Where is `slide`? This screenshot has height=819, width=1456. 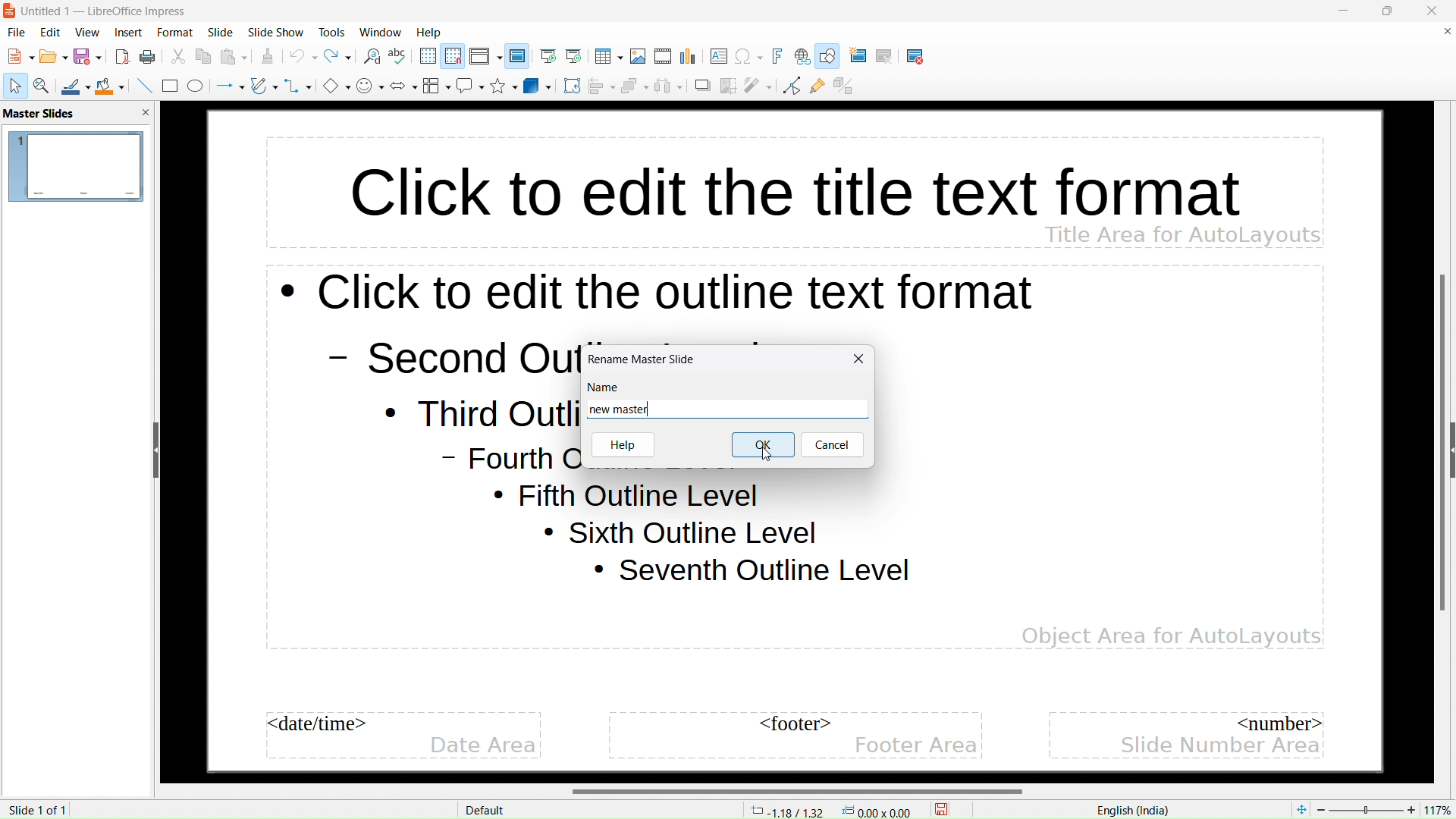 slide is located at coordinates (220, 32).